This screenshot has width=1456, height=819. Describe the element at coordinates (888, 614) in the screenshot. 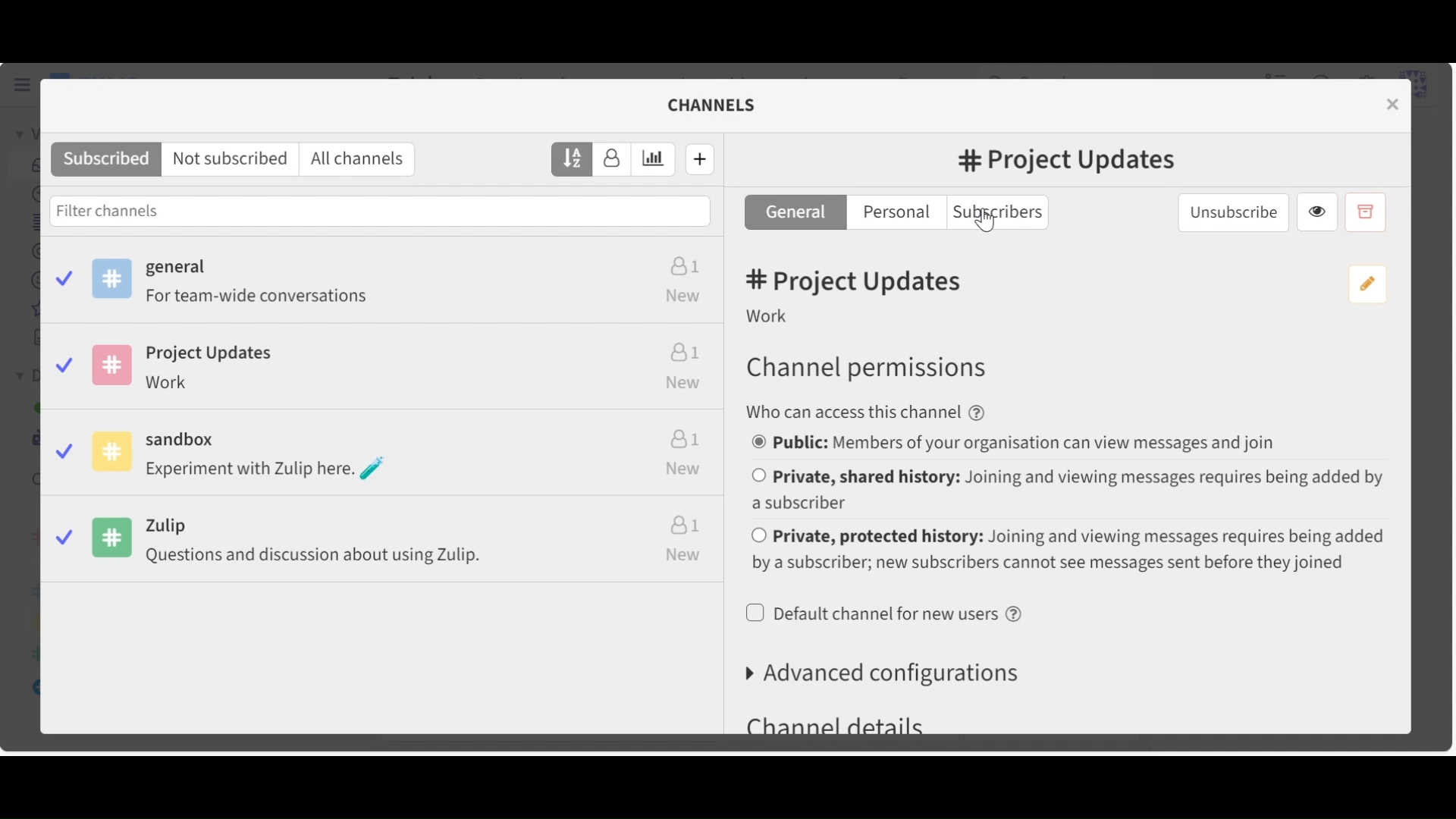

I see `(un)select Default channel for users` at that location.